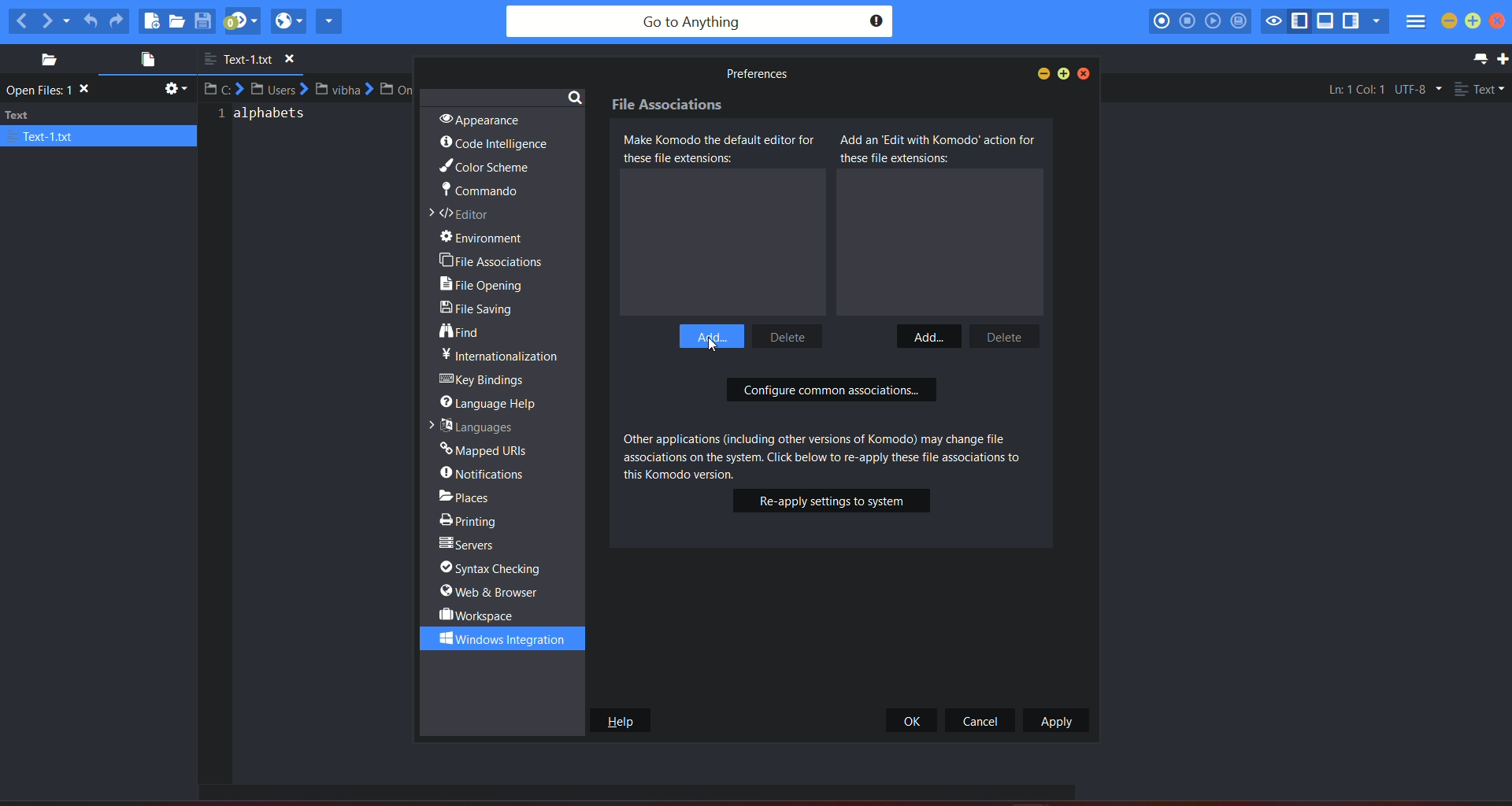 This screenshot has height=806, width=1512. I want to click on Re-apply settings to system, so click(832, 501).